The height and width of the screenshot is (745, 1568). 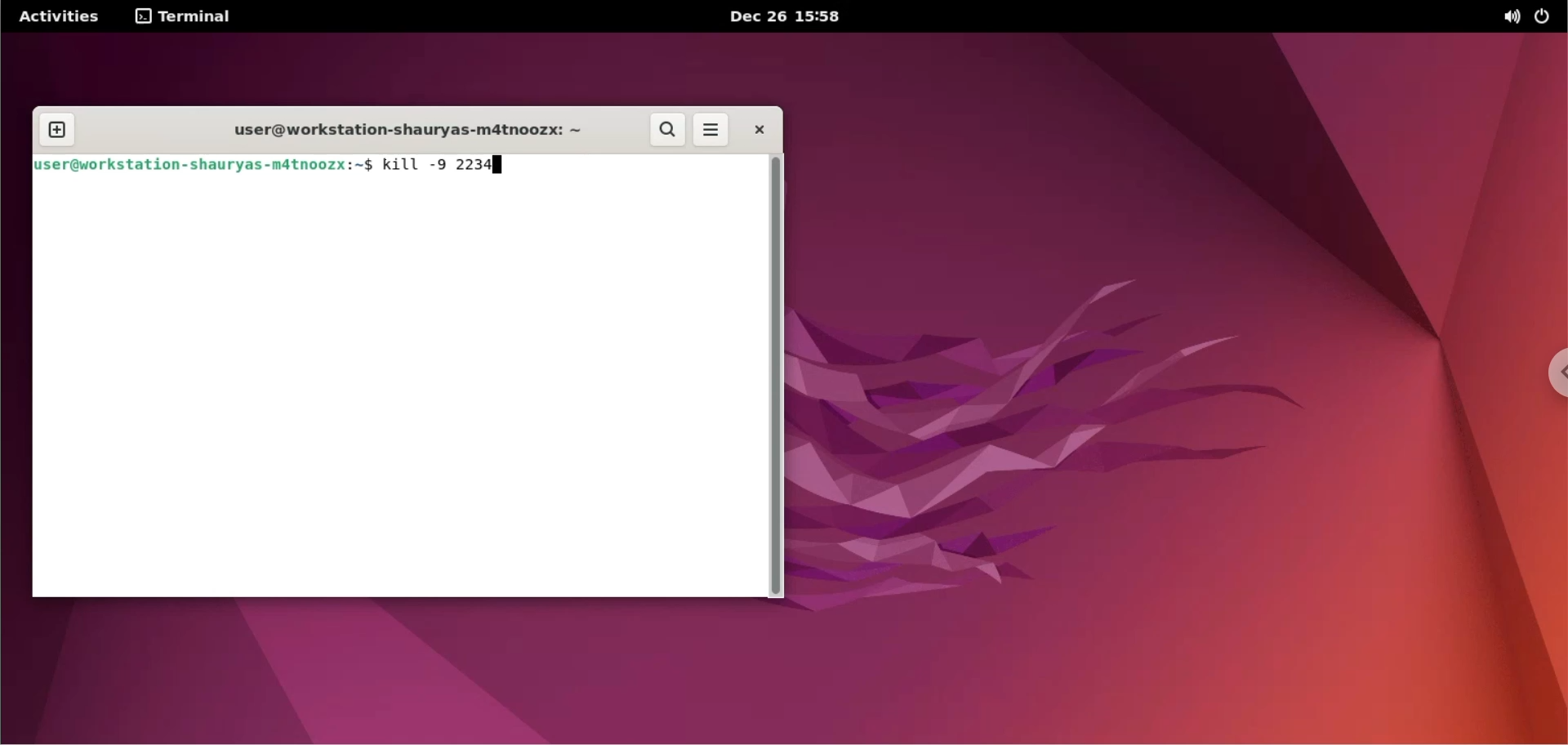 I want to click on scrollbar, so click(x=775, y=376).